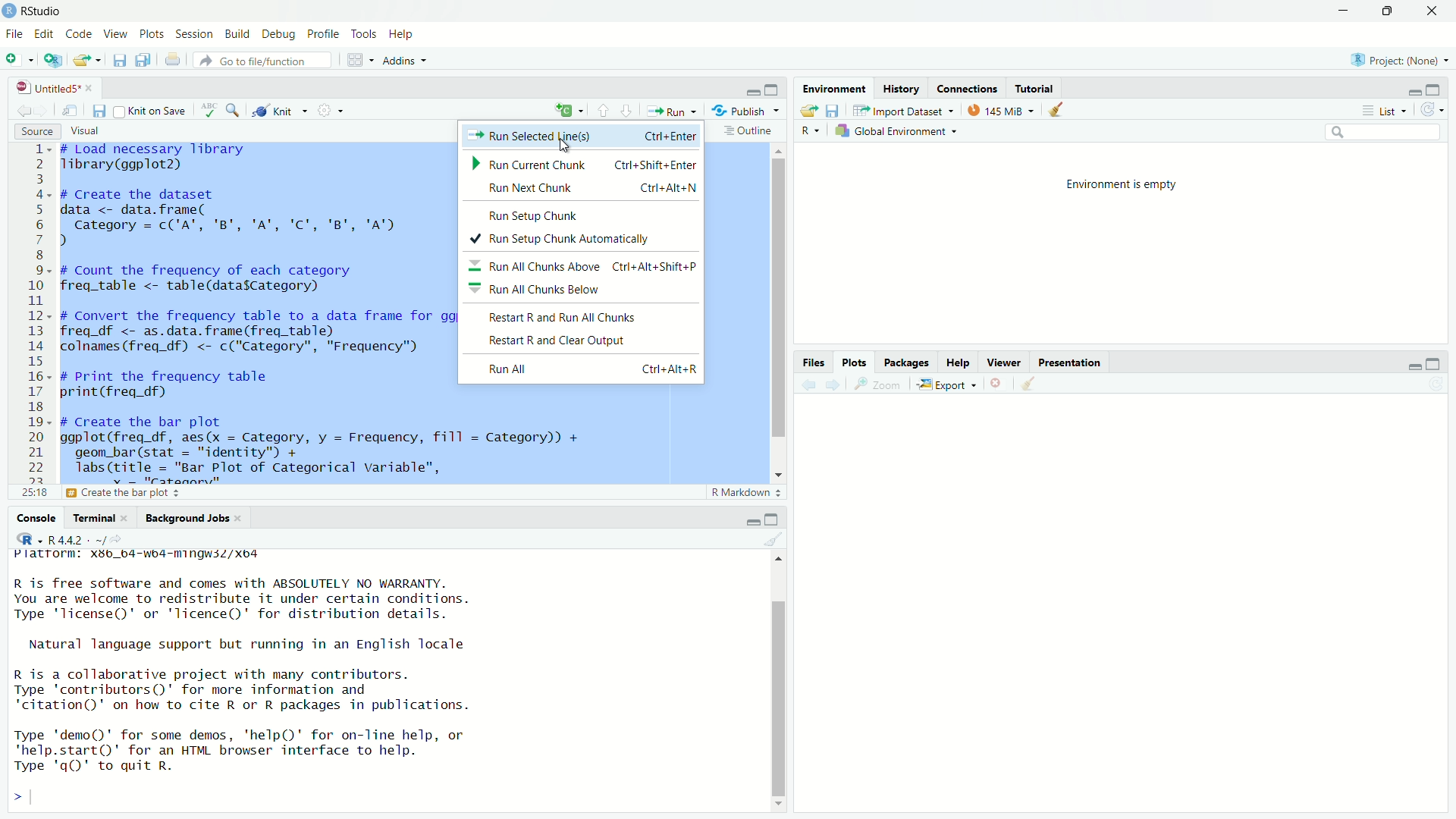 The height and width of the screenshot is (819, 1456). I want to click on plots, so click(855, 362).